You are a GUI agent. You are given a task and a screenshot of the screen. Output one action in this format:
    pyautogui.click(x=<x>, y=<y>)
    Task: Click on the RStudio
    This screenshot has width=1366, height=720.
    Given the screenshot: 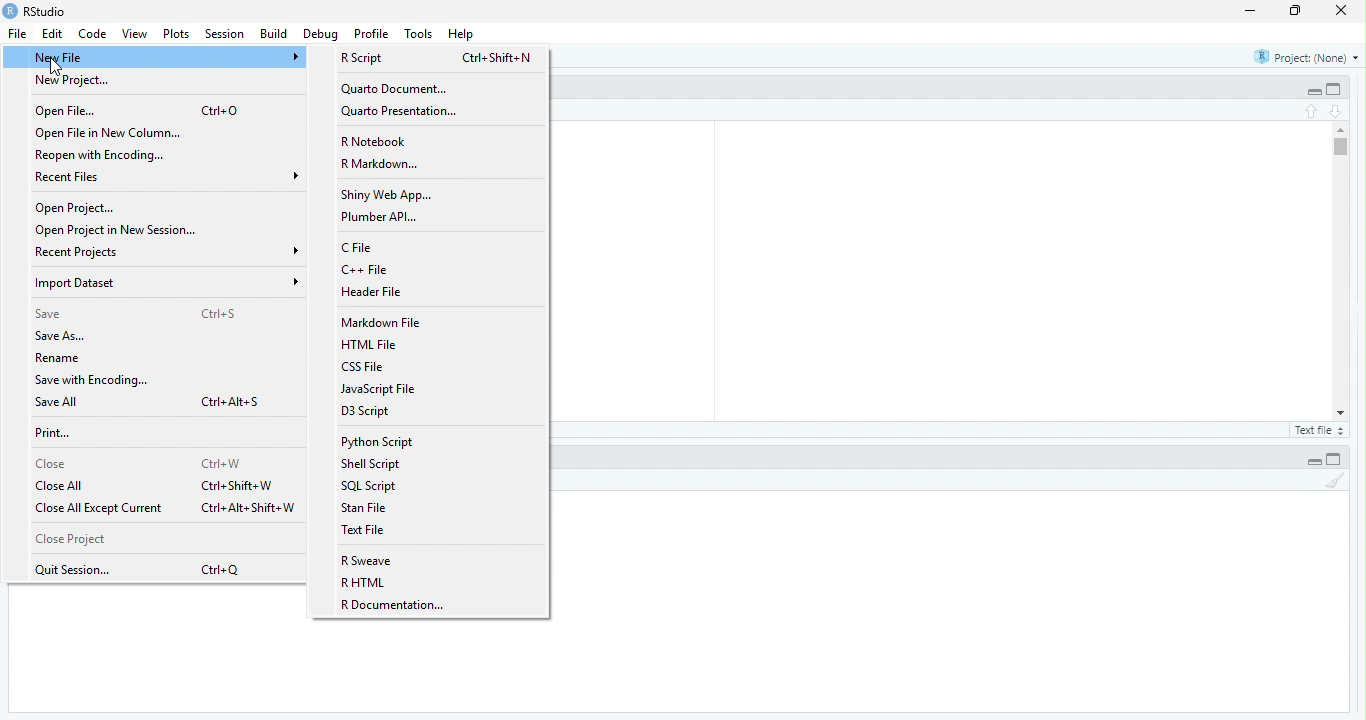 What is the action you would take?
    pyautogui.click(x=46, y=11)
    